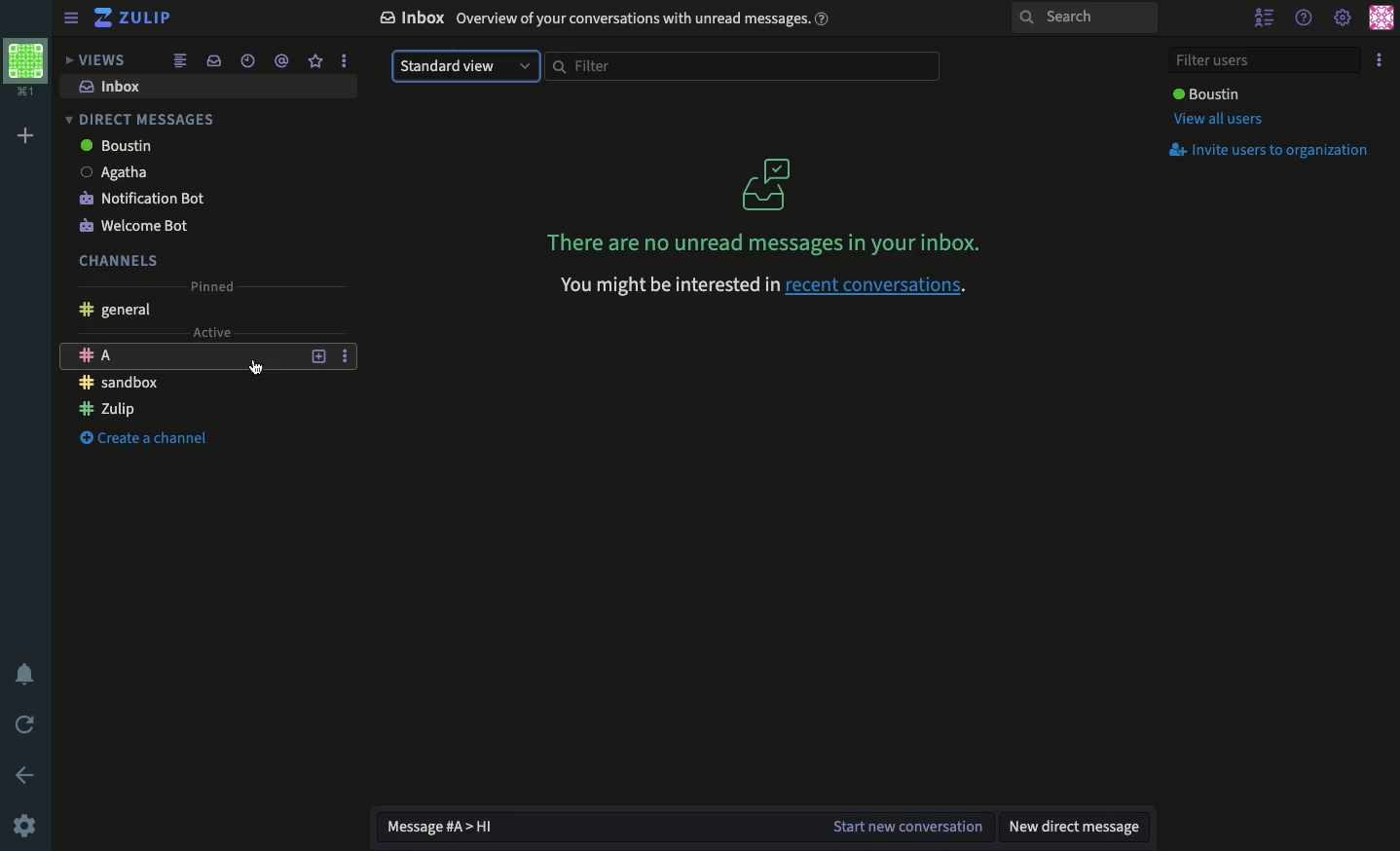 This screenshot has height=851, width=1400. What do you see at coordinates (27, 775) in the screenshot?
I see `Back` at bounding box center [27, 775].